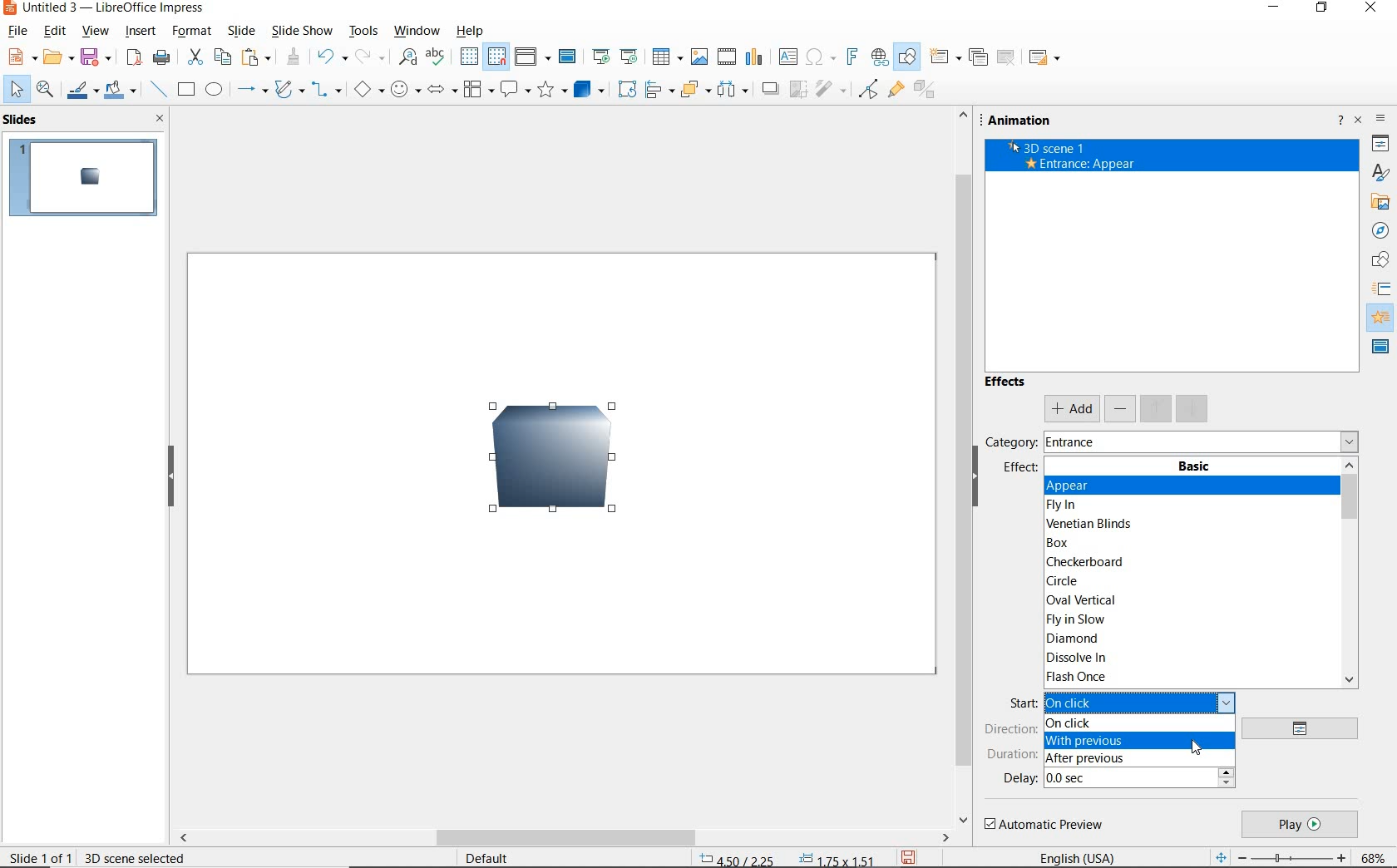  Describe the element at coordinates (289, 91) in the screenshot. I see `curves and polygons` at that location.